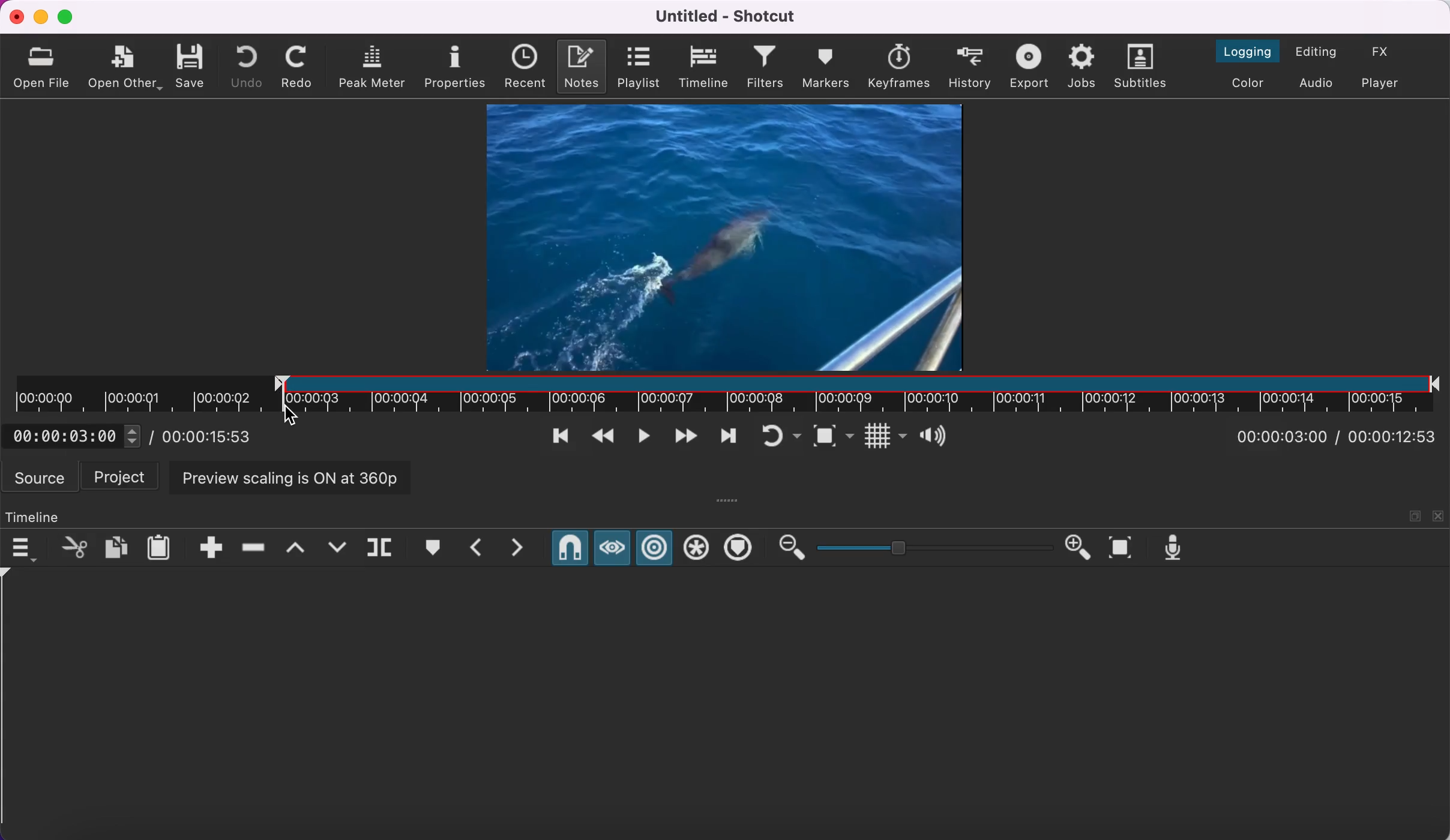  Describe the element at coordinates (194, 64) in the screenshot. I see `save` at that location.